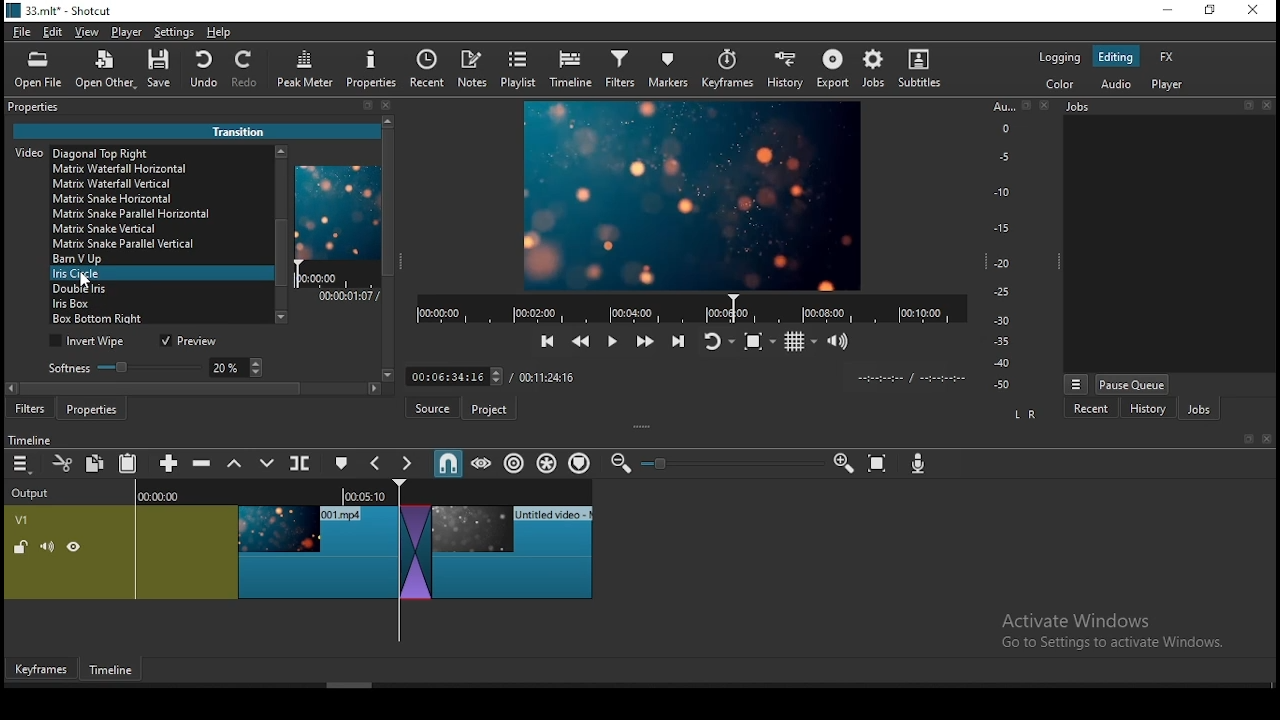 The width and height of the screenshot is (1280, 720). What do you see at coordinates (1002, 246) in the screenshot?
I see `audio bar` at bounding box center [1002, 246].